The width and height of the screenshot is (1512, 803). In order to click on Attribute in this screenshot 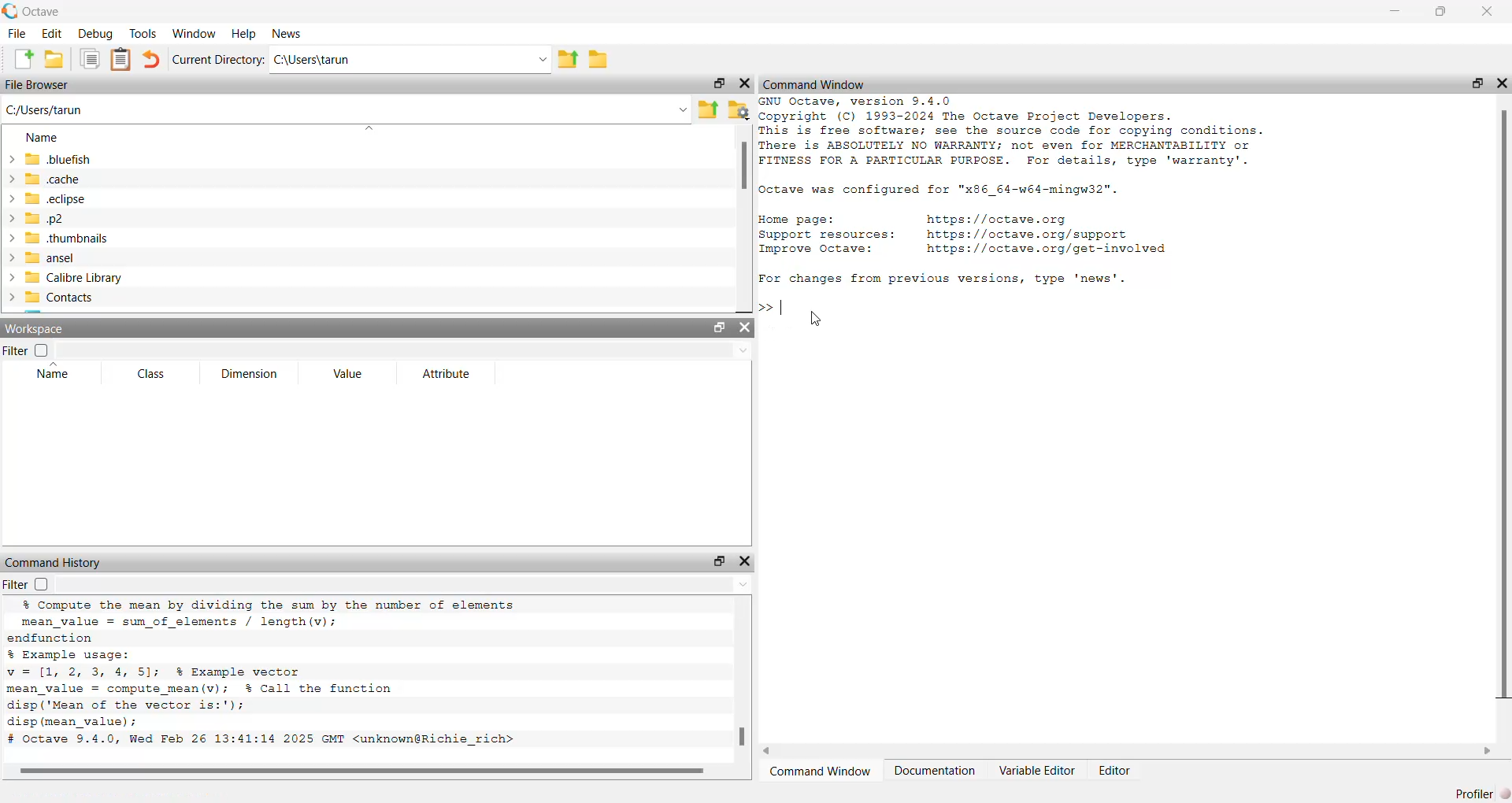, I will do `click(448, 374)`.